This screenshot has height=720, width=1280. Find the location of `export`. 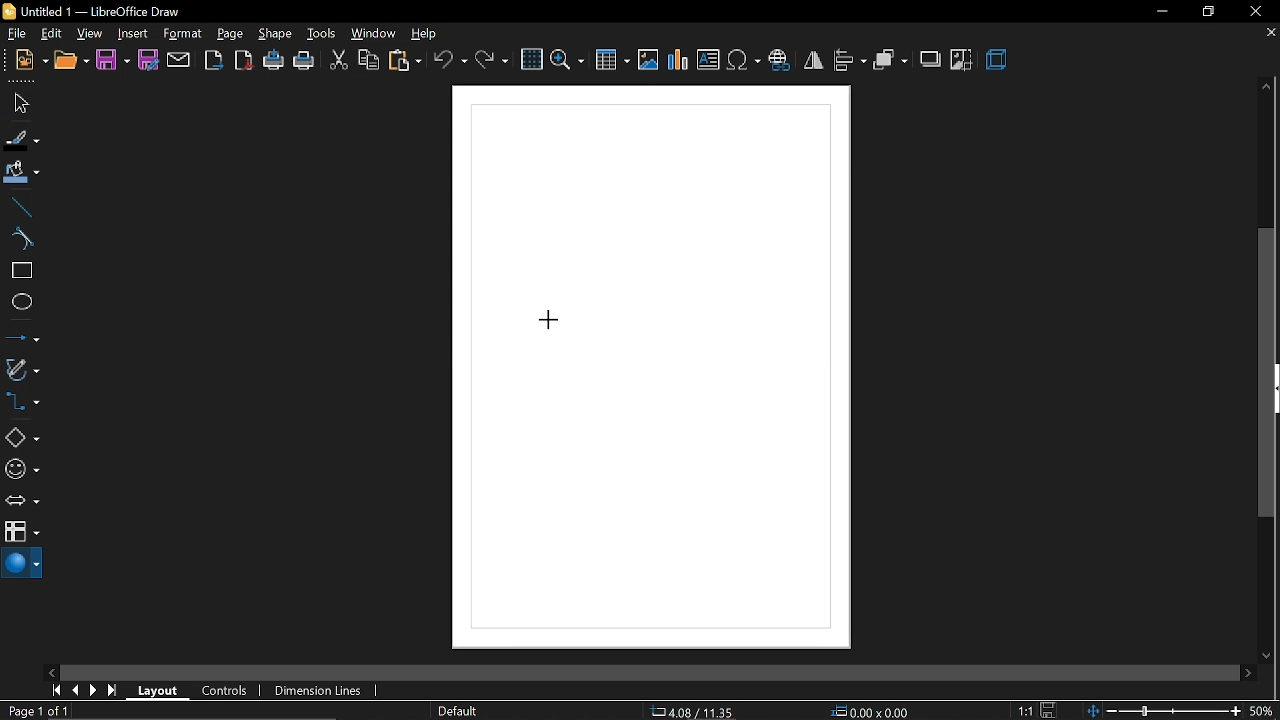

export is located at coordinates (213, 60).